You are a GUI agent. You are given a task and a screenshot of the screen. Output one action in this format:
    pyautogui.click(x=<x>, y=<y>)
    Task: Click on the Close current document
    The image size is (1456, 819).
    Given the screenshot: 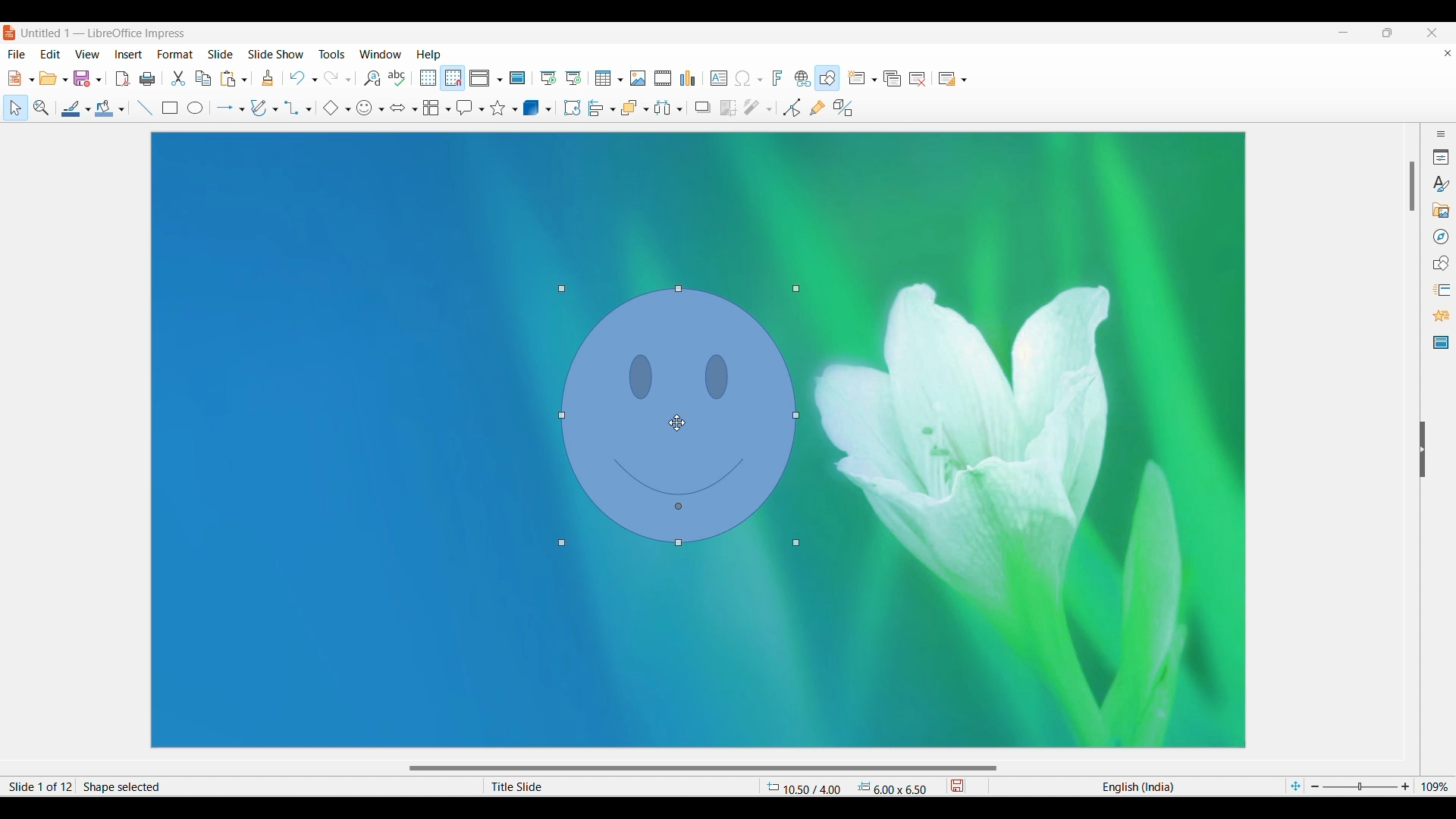 What is the action you would take?
    pyautogui.click(x=1448, y=53)
    